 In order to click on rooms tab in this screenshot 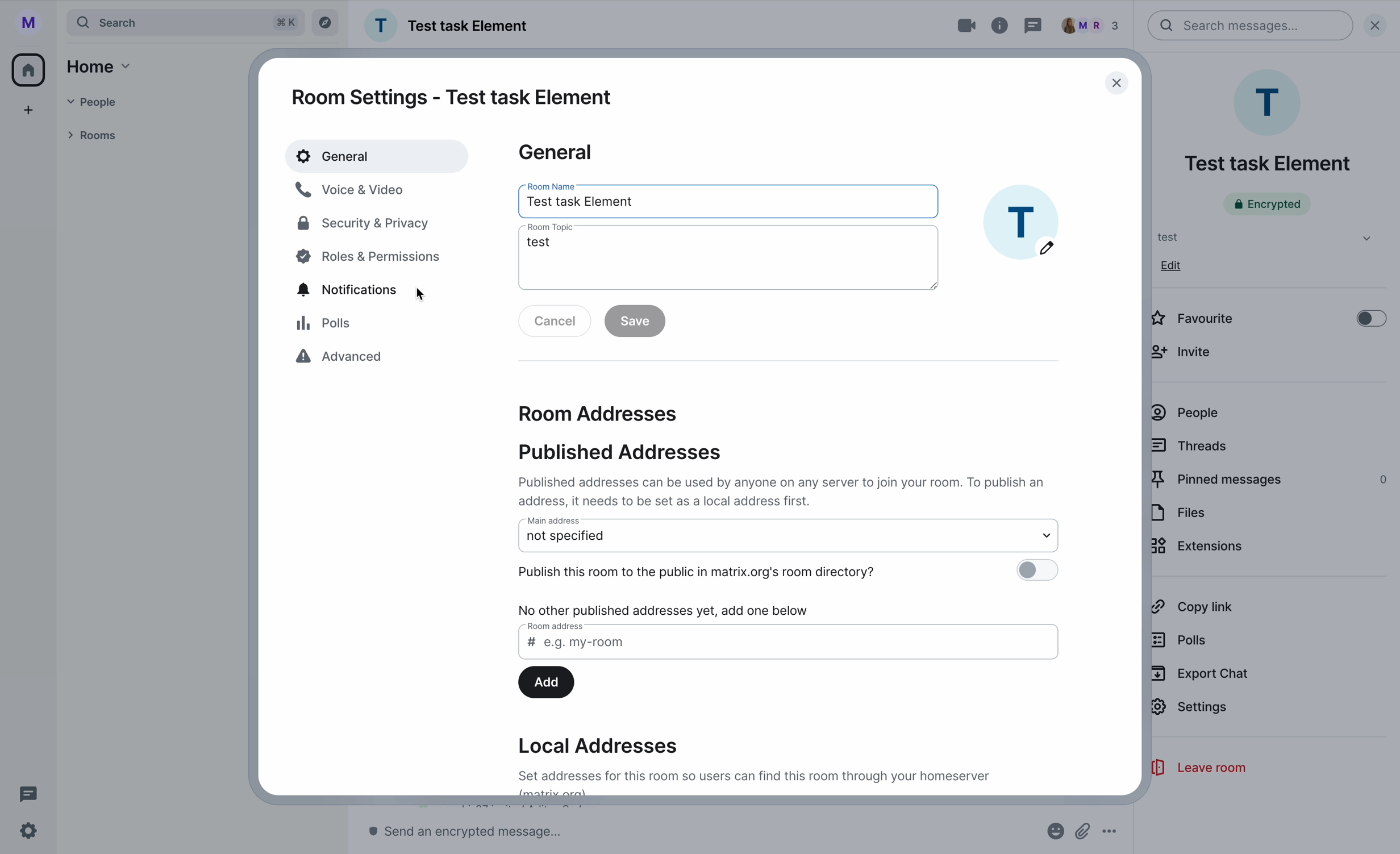, I will do `click(141, 131)`.